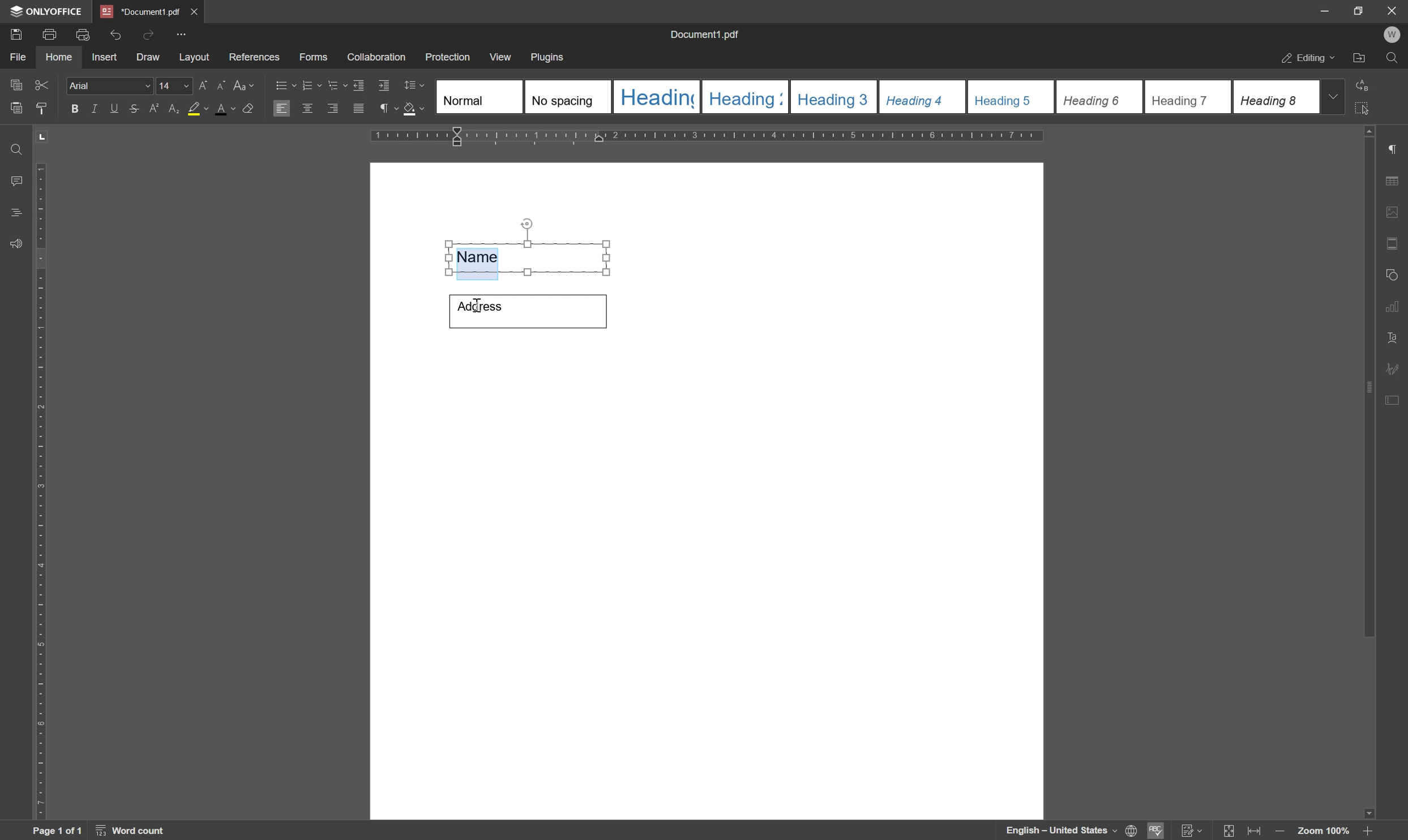 This screenshot has width=1408, height=840. Describe the element at coordinates (40, 488) in the screenshot. I see `ruler` at that location.